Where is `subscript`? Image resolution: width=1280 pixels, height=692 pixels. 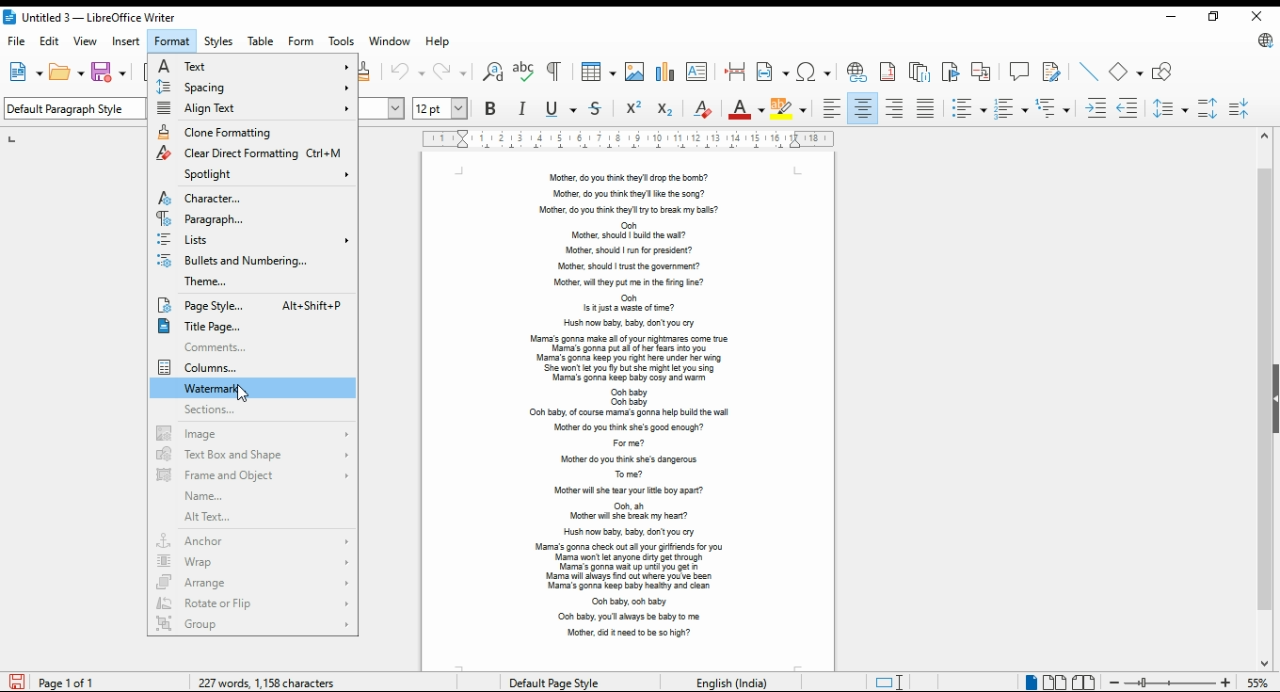
subscript is located at coordinates (665, 110).